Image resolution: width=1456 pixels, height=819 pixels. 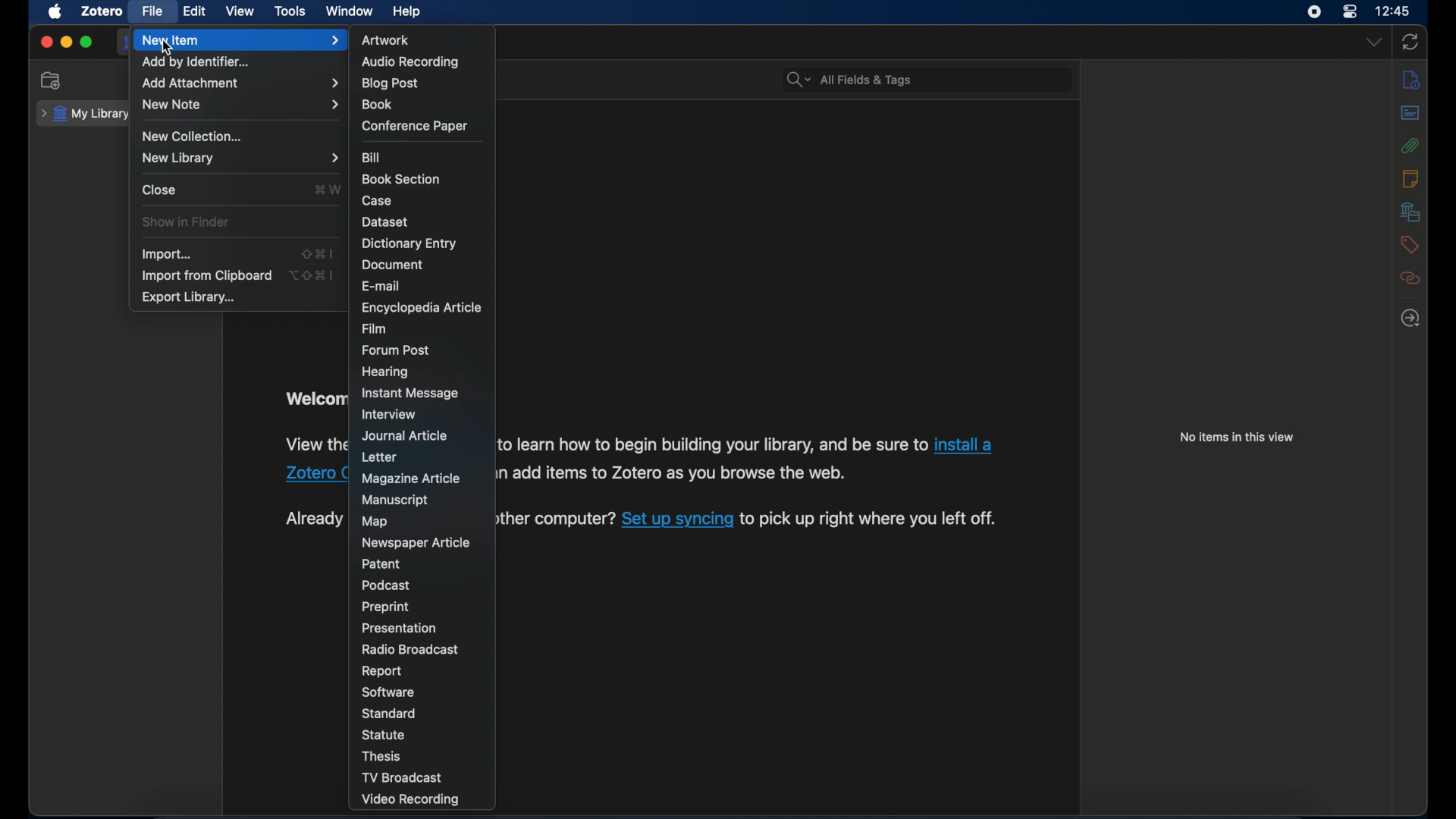 I want to click on letter, so click(x=381, y=457).